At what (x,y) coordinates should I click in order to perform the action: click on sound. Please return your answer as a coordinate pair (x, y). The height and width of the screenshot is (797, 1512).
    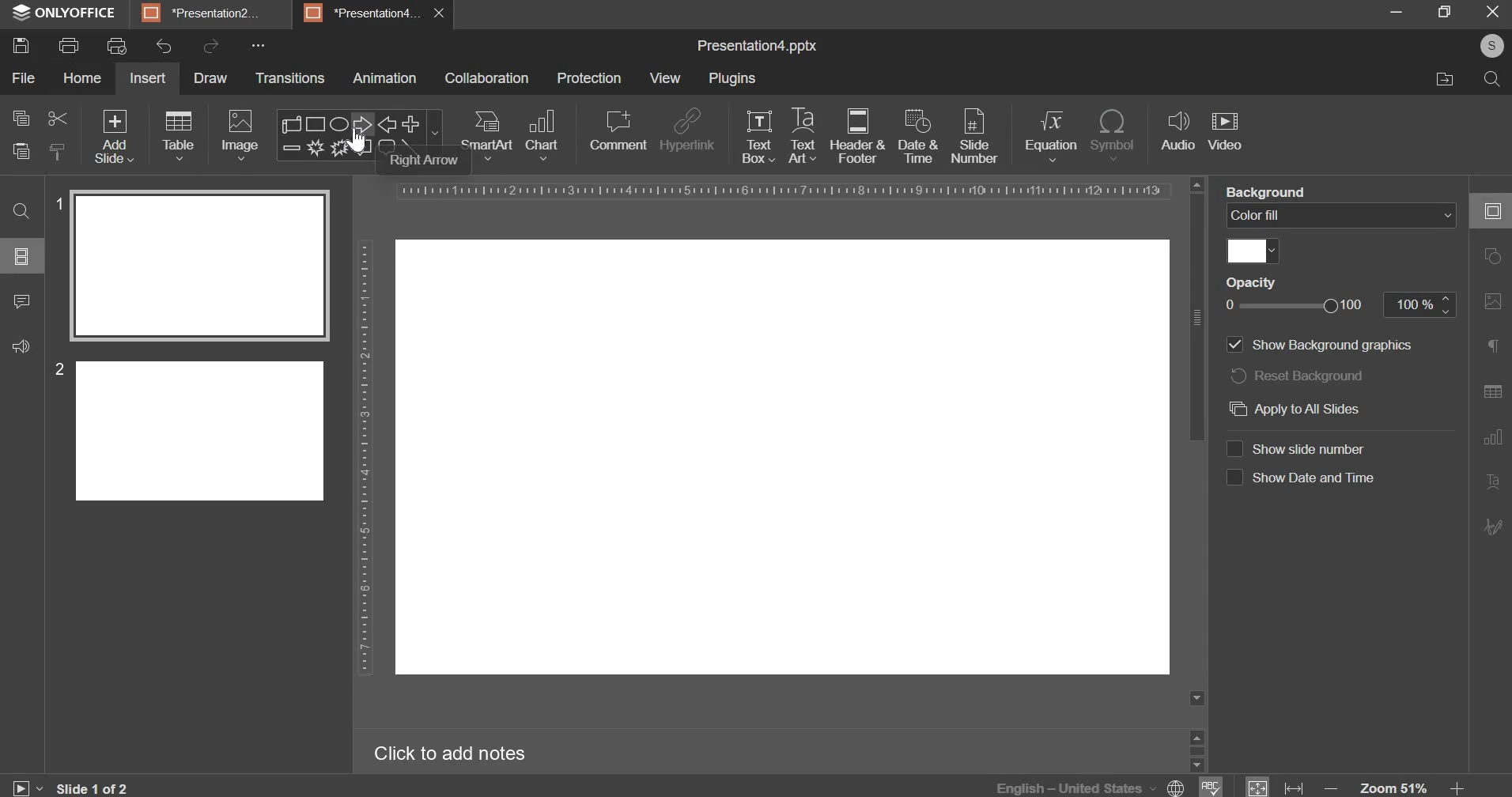
    Looking at the image, I should click on (21, 349).